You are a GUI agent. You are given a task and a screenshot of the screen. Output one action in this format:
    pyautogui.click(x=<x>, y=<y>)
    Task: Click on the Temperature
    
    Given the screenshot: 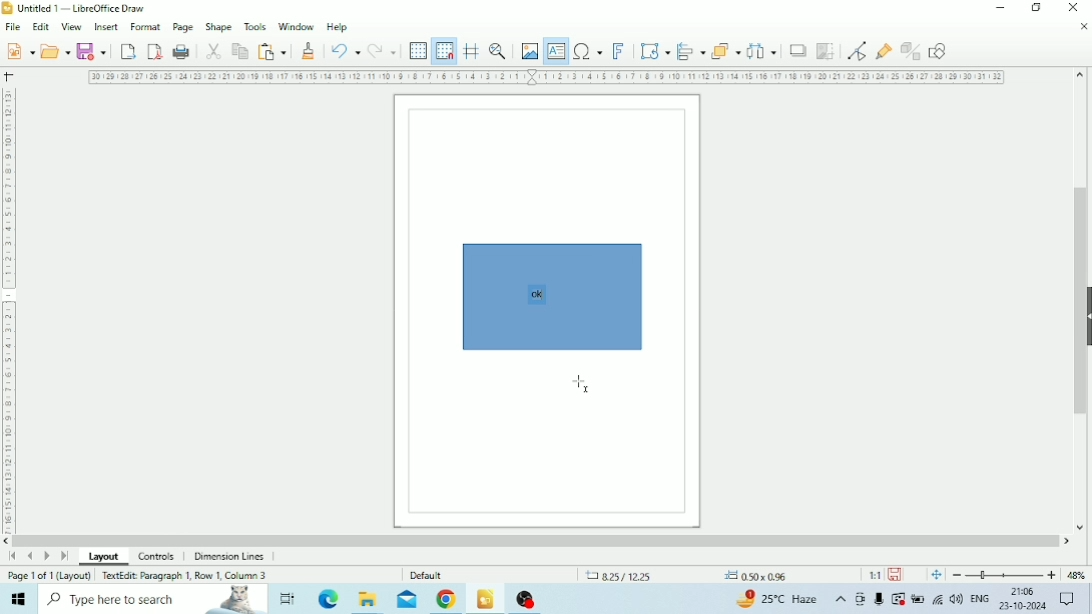 What is the action you would take?
    pyautogui.click(x=779, y=598)
    